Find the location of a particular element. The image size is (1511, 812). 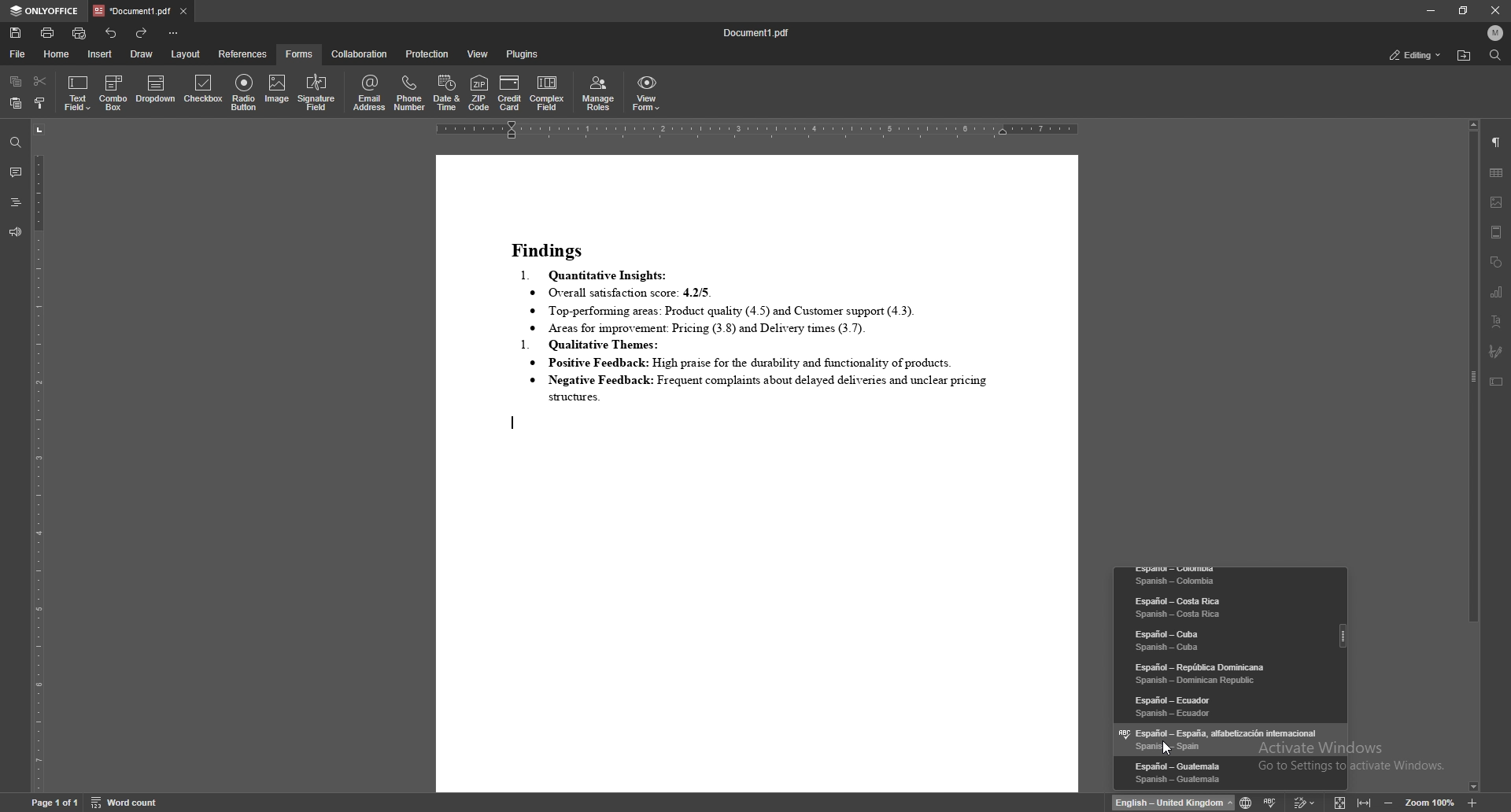

change text language is located at coordinates (1243, 800).